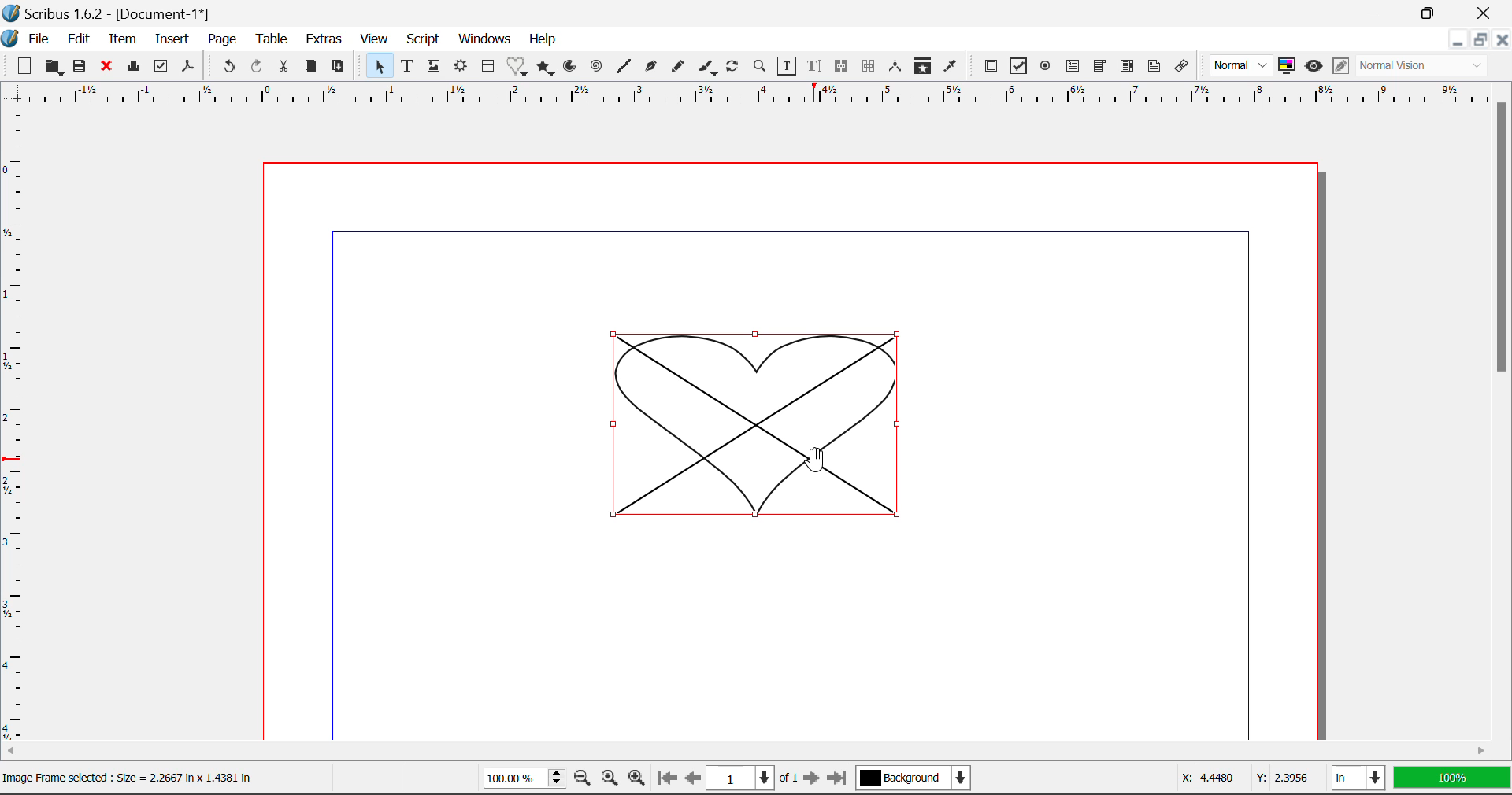 Image resolution: width=1512 pixels, height=795 pixels. What do you see at coordinates (170, 39) in the screenshot?
I see `Insert` at bounding box center [170, 39].